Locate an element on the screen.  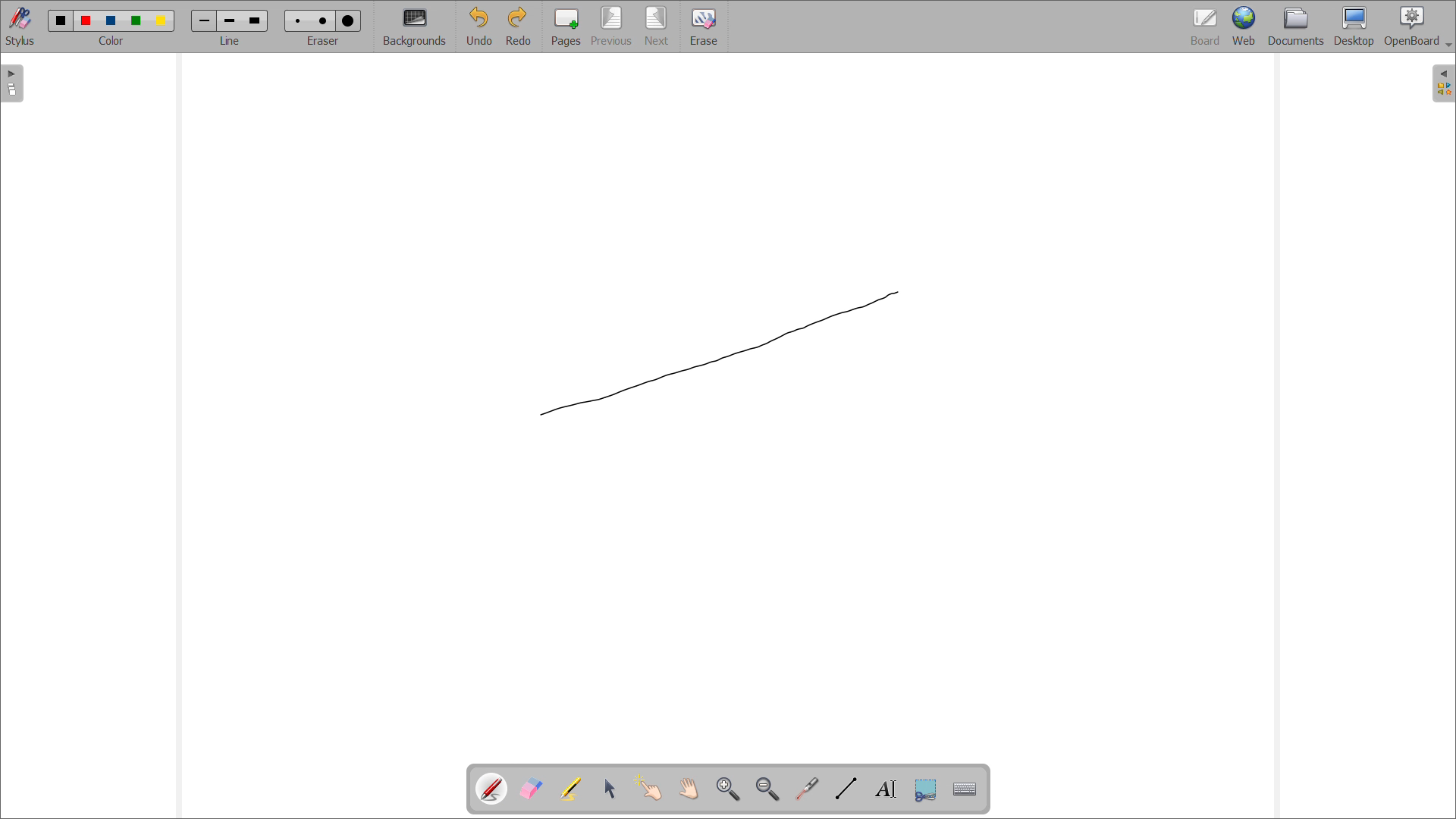
virtual keyboard is located at coordinates (966, 790).